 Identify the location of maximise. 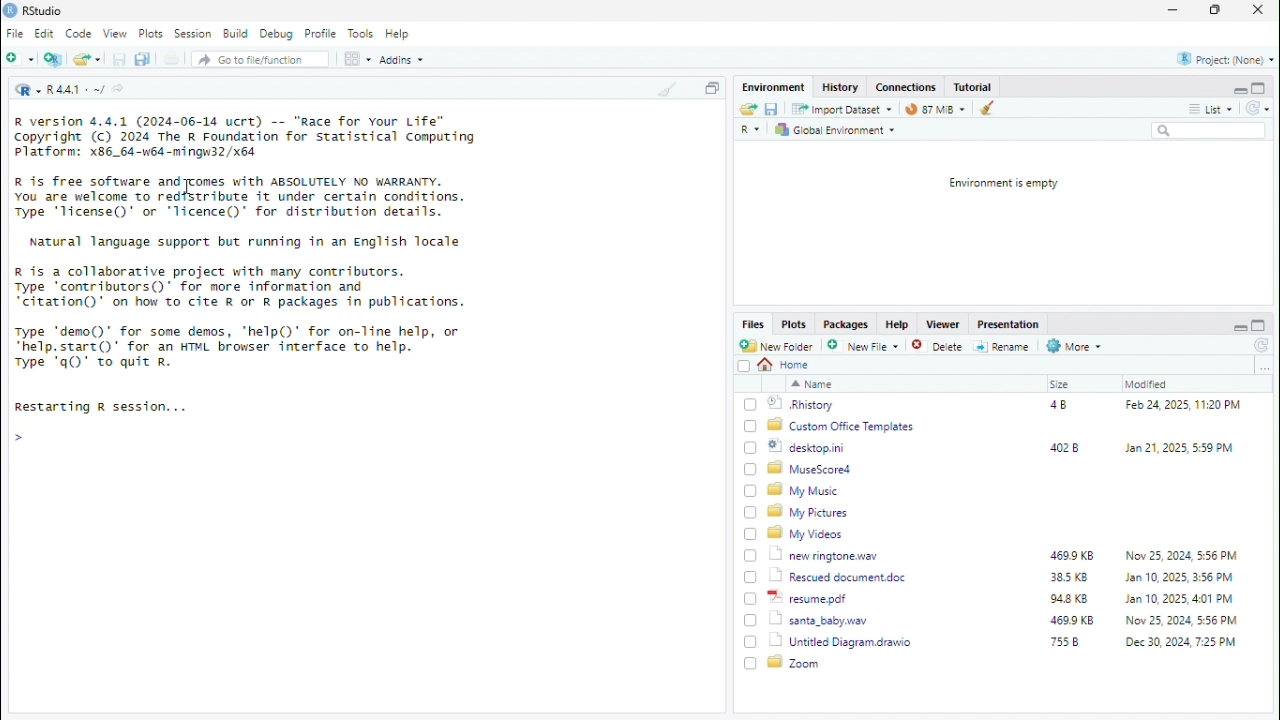
(1215, 9).